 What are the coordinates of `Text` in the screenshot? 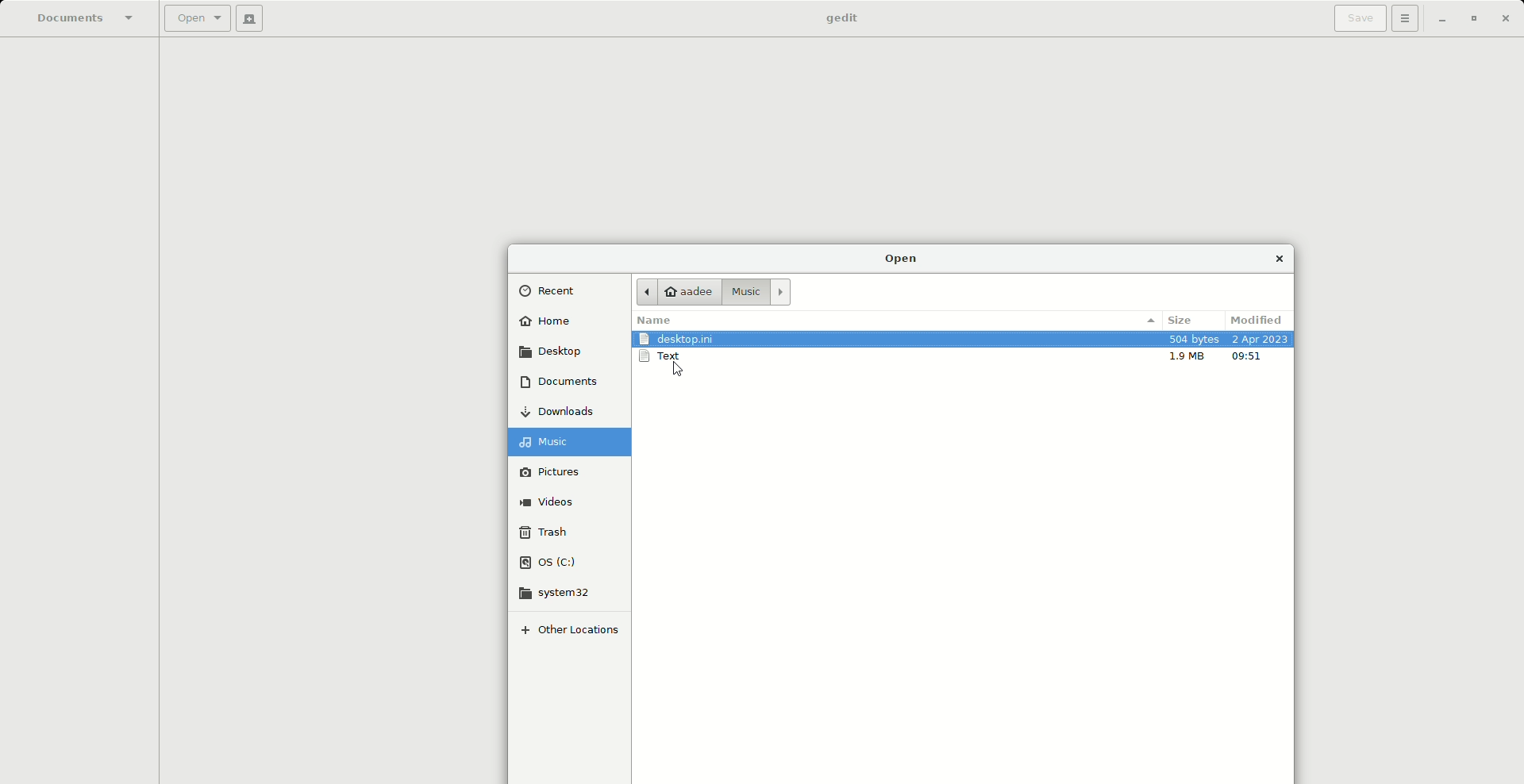 It's located at (675, 359).